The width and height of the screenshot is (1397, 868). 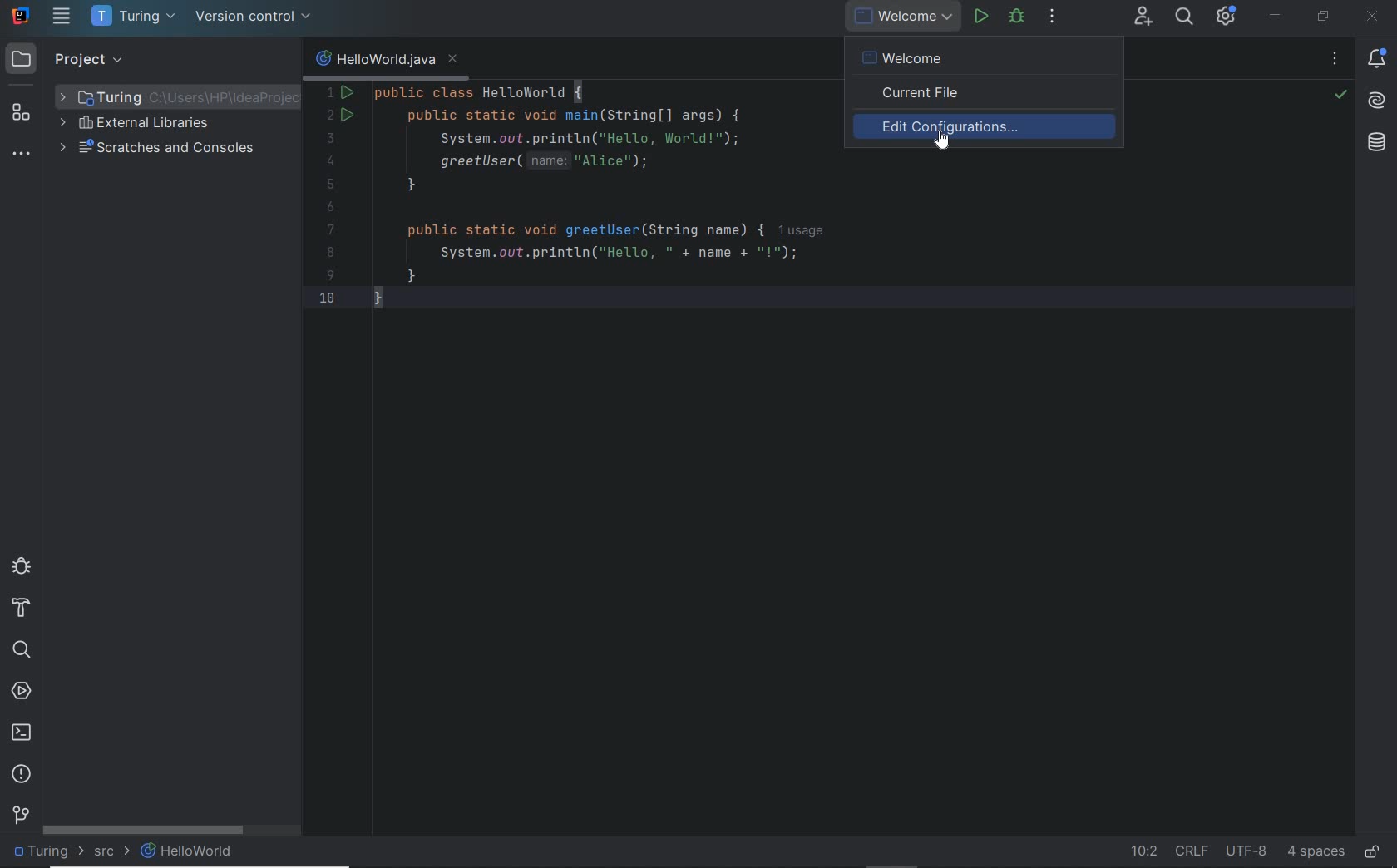 What do you see at coordinates (980, 16) in the screenshot?
I see `run` at bounding box center [980, 16].